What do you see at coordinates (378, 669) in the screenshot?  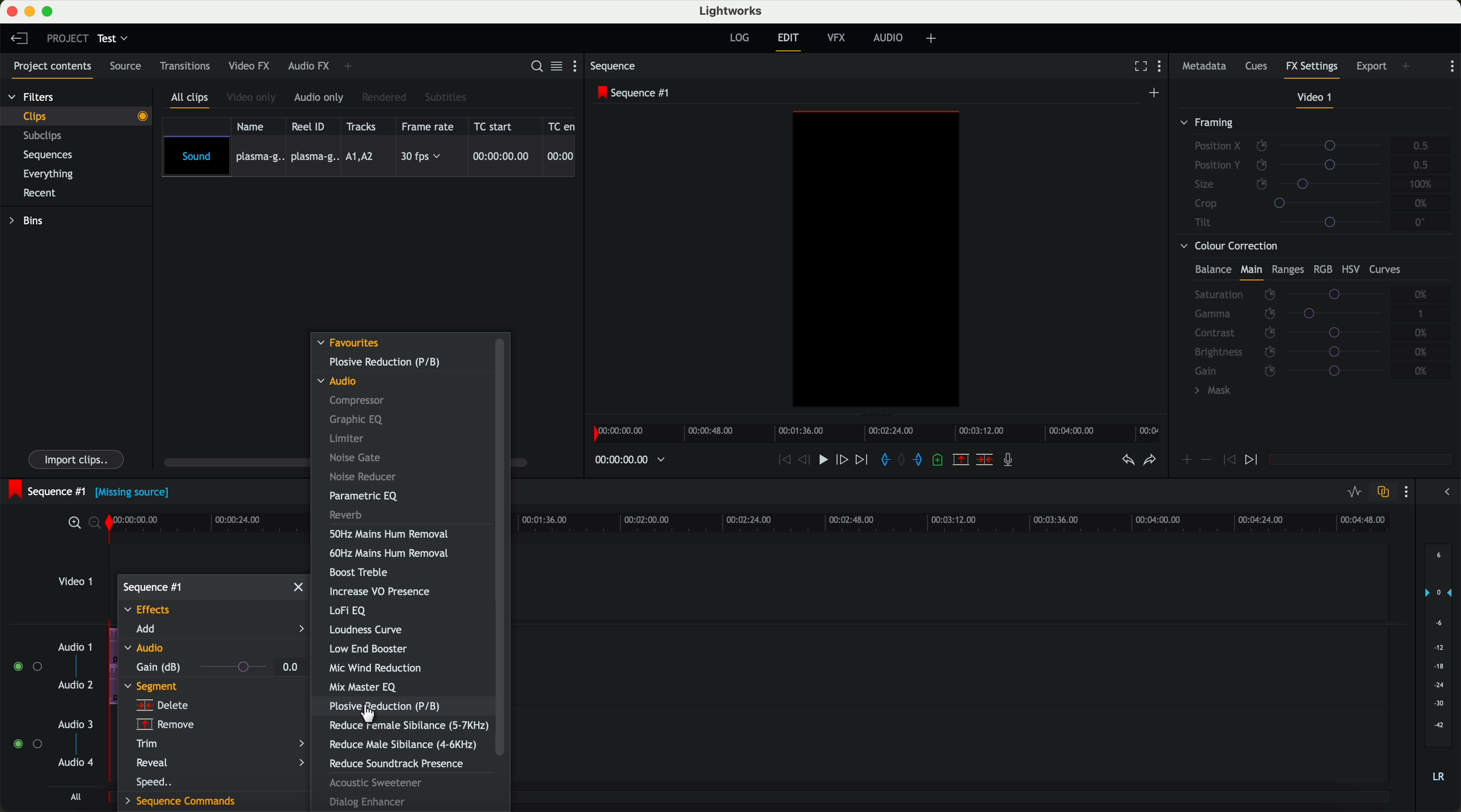 I see `mic wind reduction` at bounding box center [378, 669].